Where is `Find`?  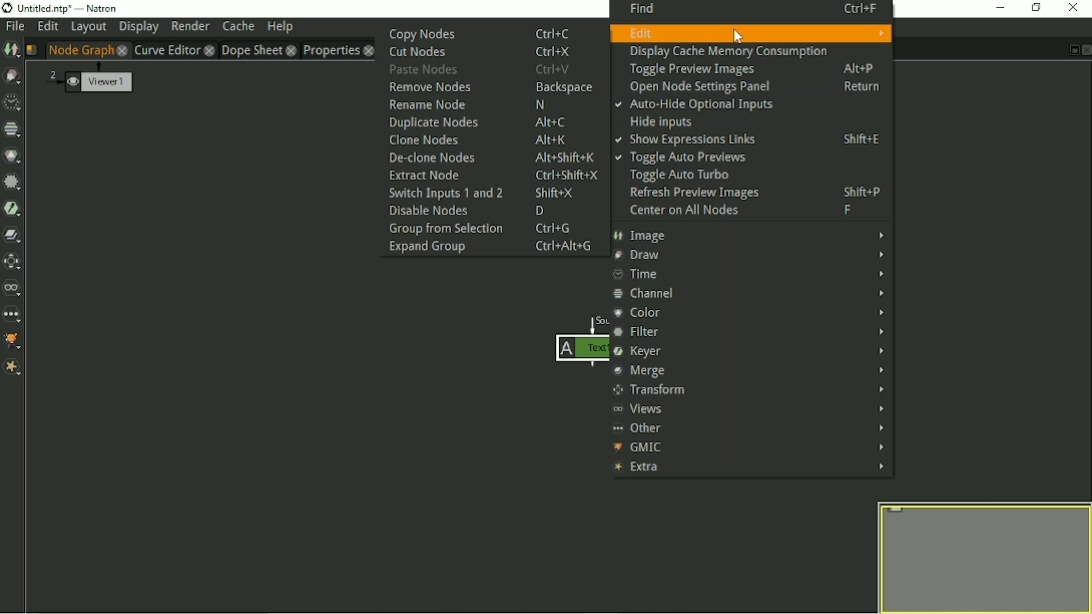
Find is located at coordinates (748, 9).